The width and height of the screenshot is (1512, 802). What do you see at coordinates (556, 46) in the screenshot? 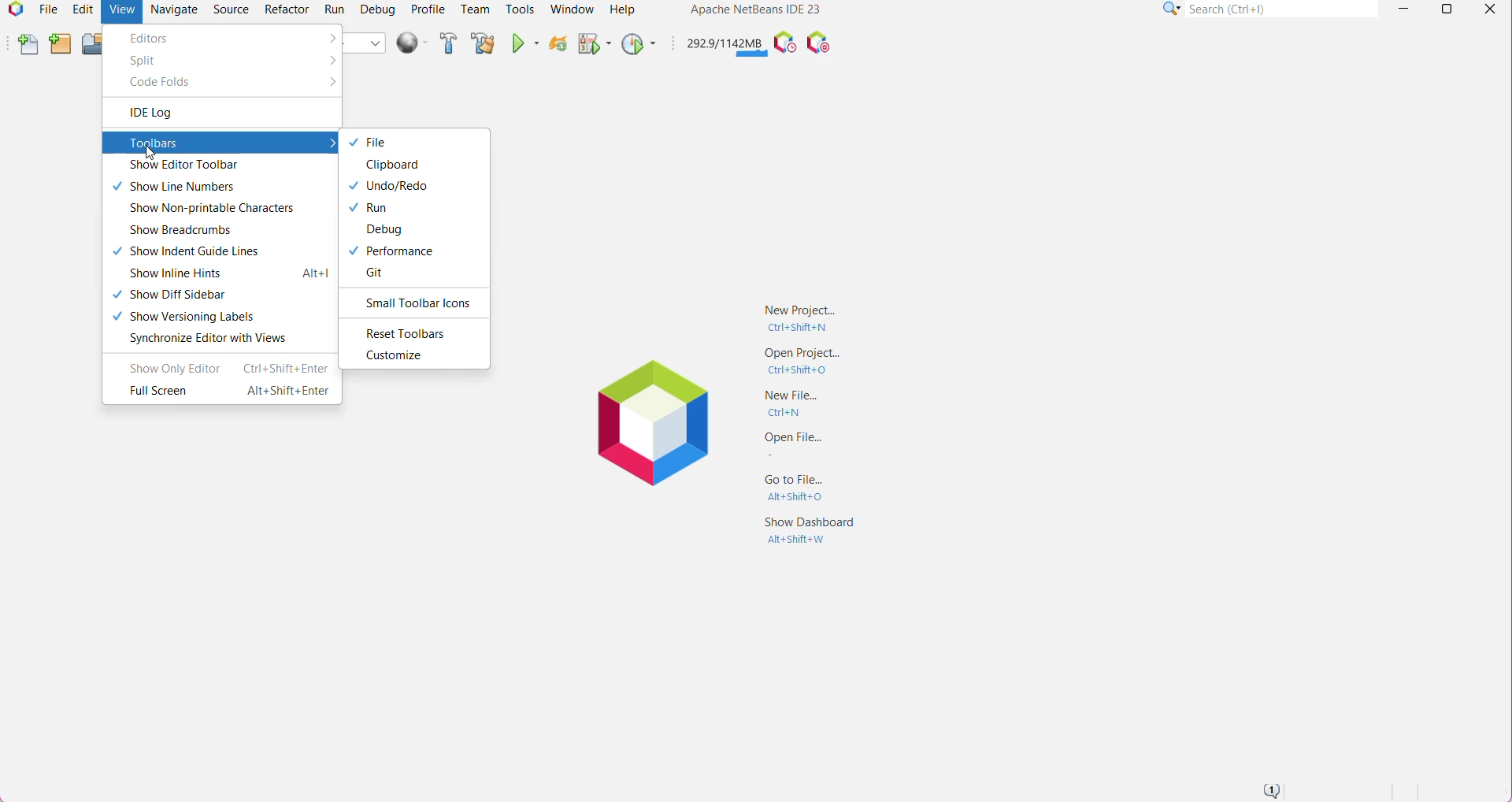
I see `Reload` at bounding box center [556, 46].